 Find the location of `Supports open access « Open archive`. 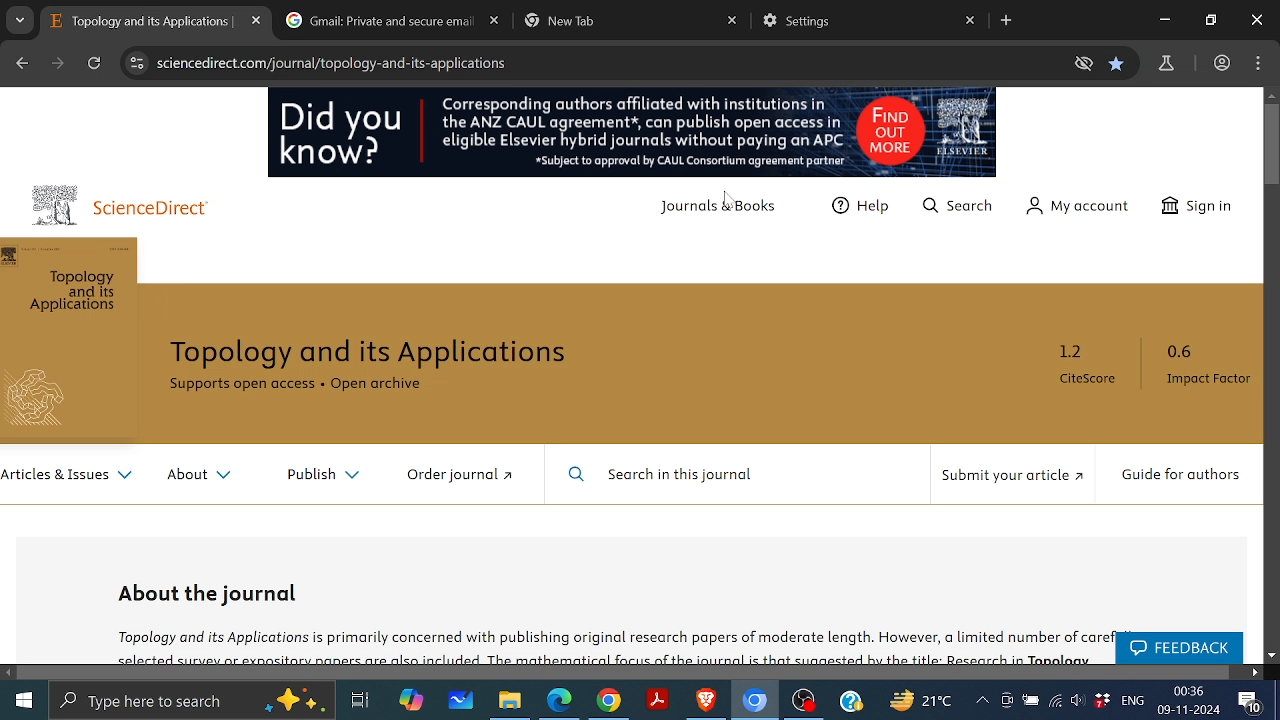

Supports open access « Open archive is located at coordinates (293, 384).